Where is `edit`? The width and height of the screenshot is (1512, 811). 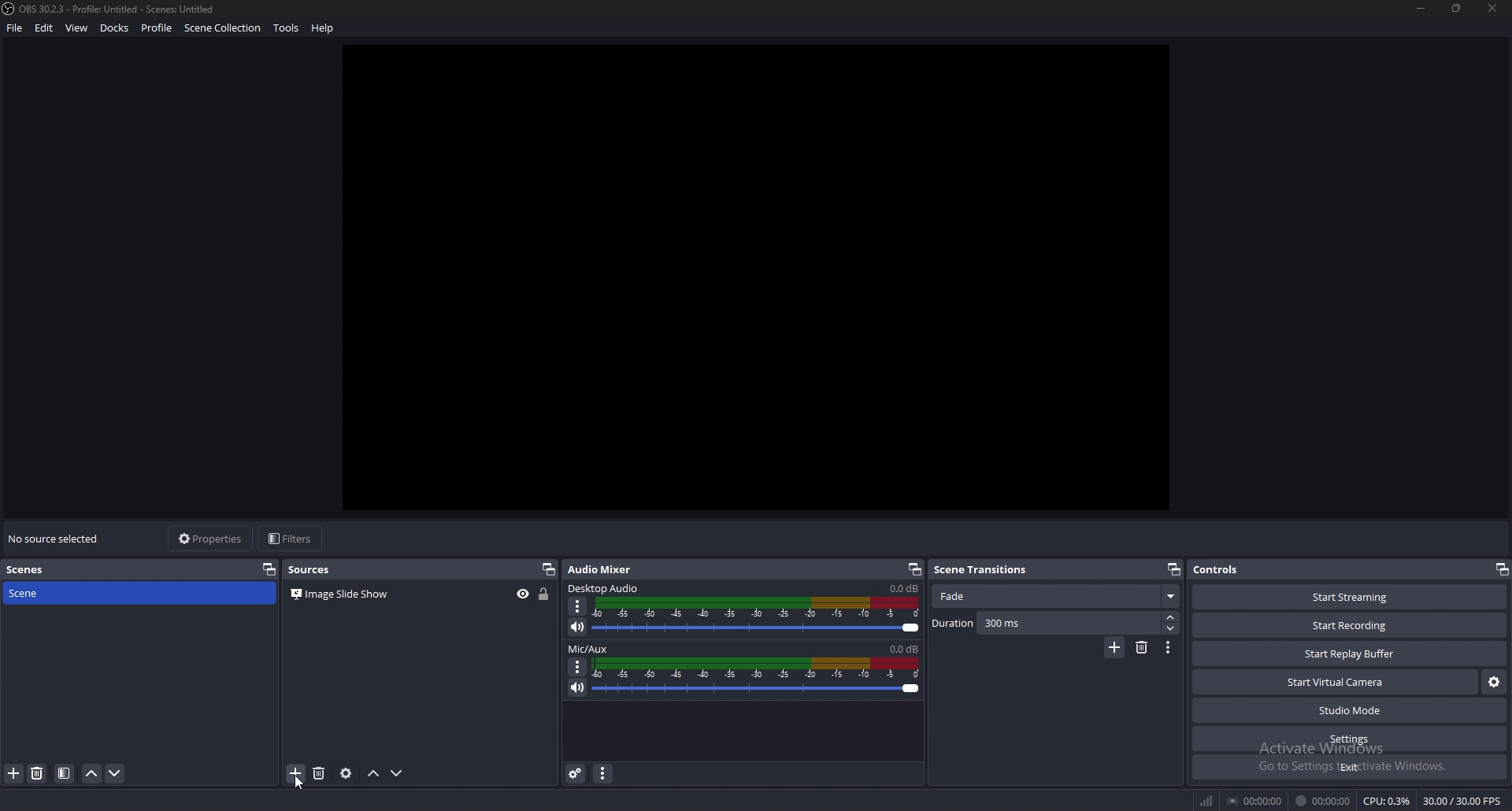 edit is located at coordinates (46, 28).